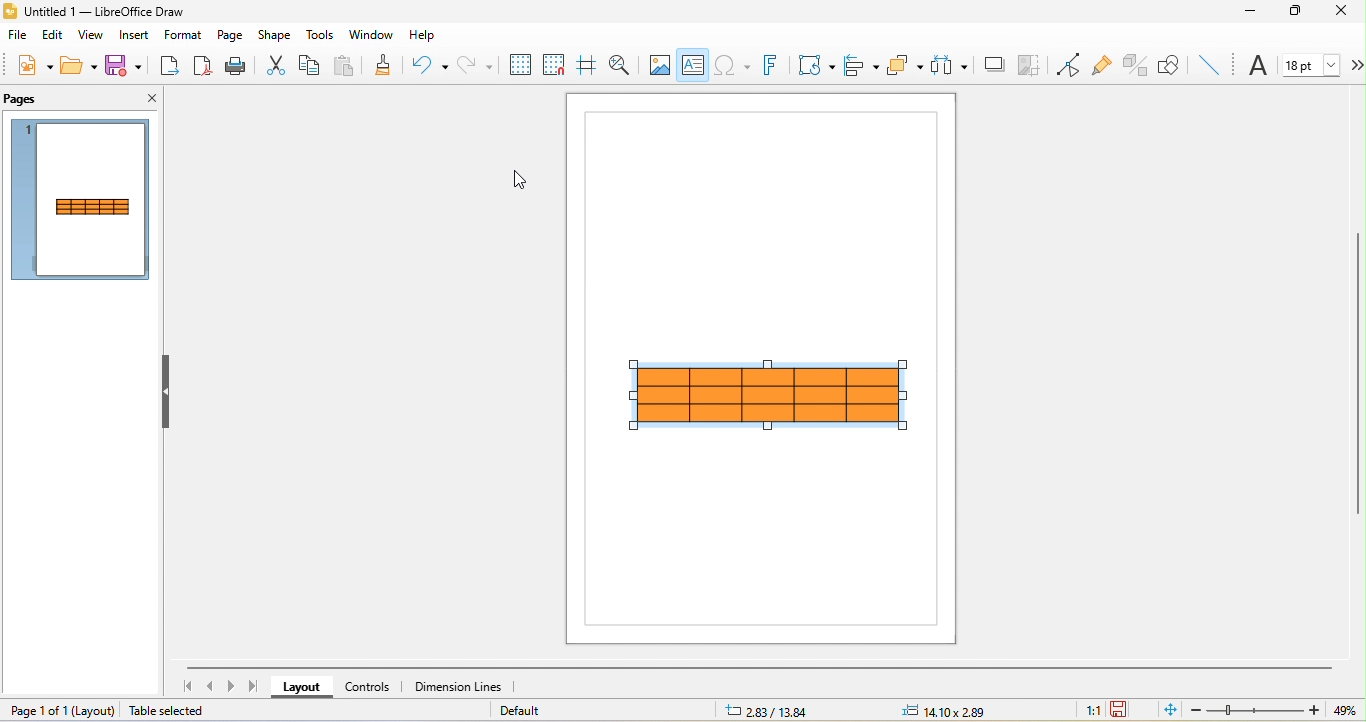 Image resolution: width=1366 pixels, height=722 pixels. Describe the element at coordinates (94, 710) in the screenshot. I see `layout` at that location.